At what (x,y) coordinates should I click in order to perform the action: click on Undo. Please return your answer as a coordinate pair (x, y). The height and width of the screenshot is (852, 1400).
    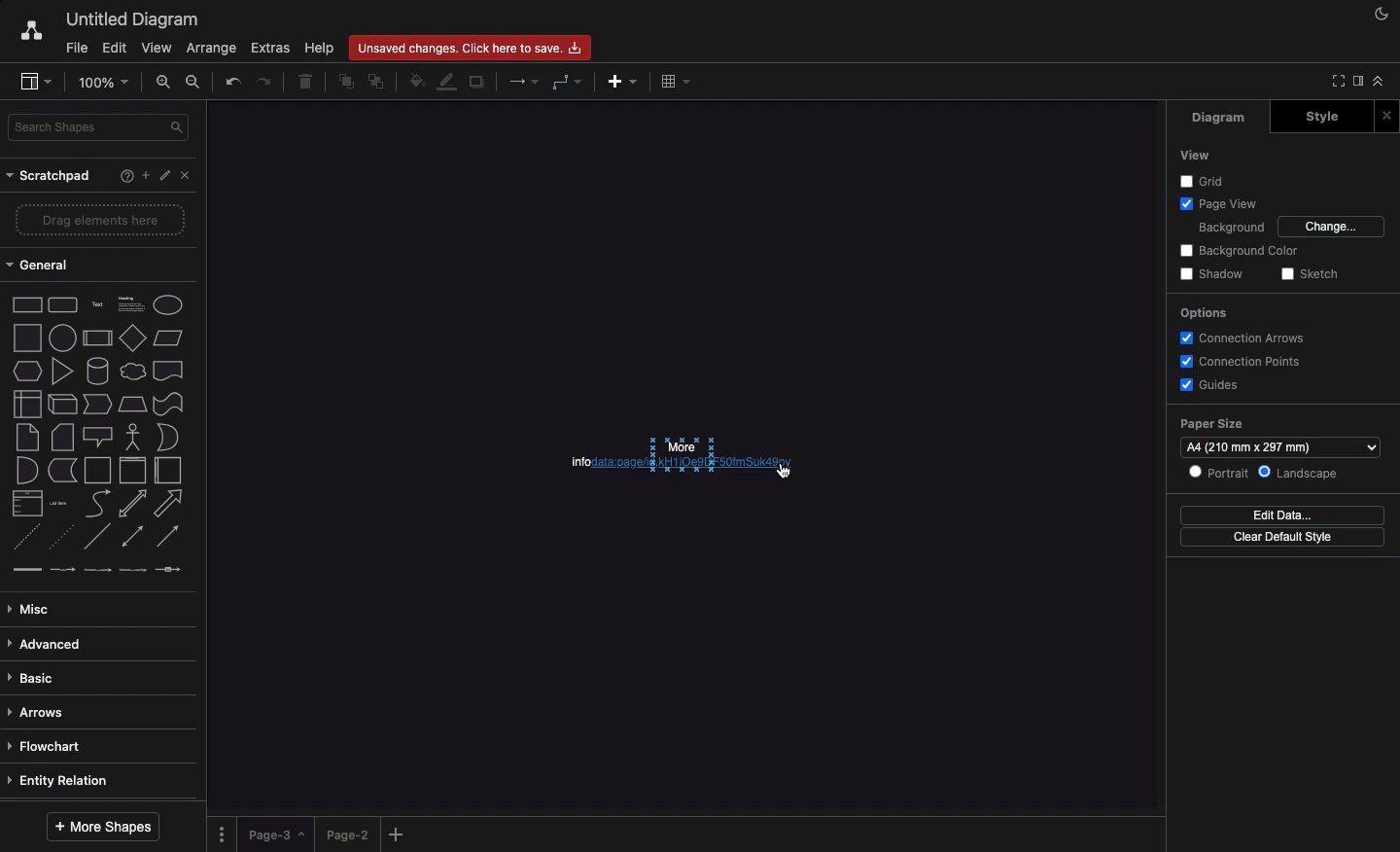
    Looking at the image, I should click on (233, 82).